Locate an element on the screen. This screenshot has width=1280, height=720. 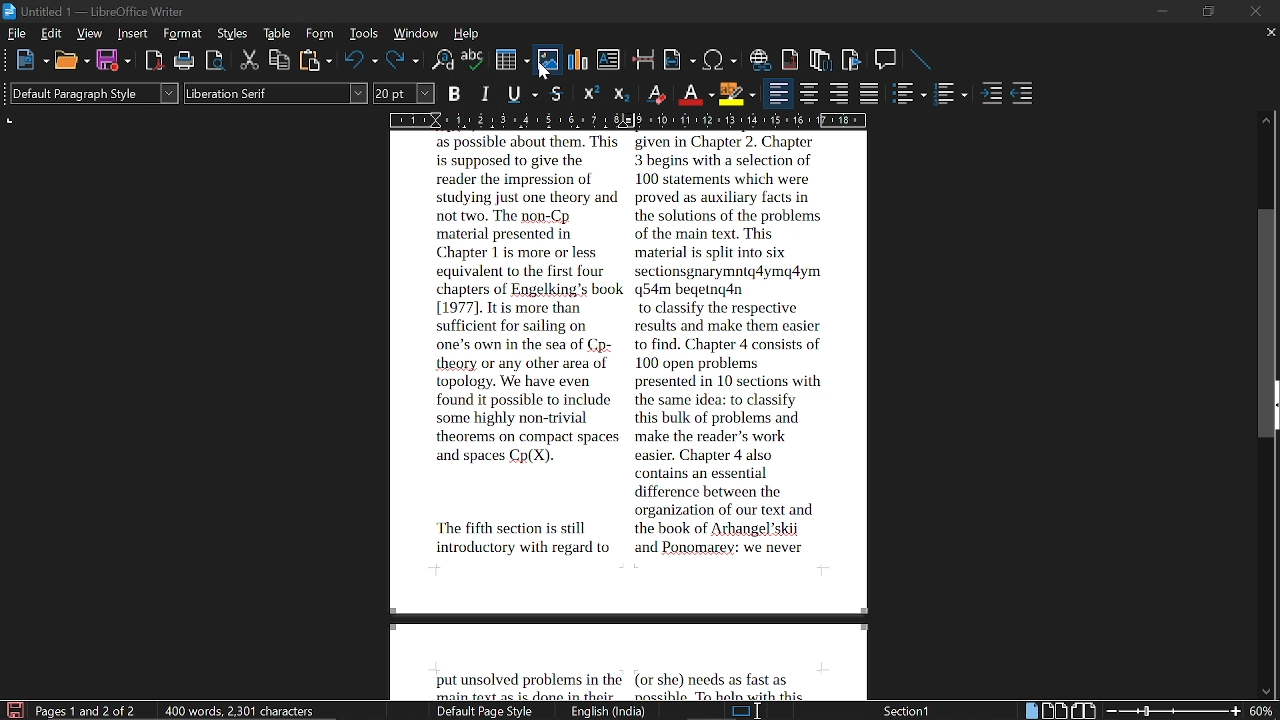
Liberation Serif is located at coordinates (276, 92).